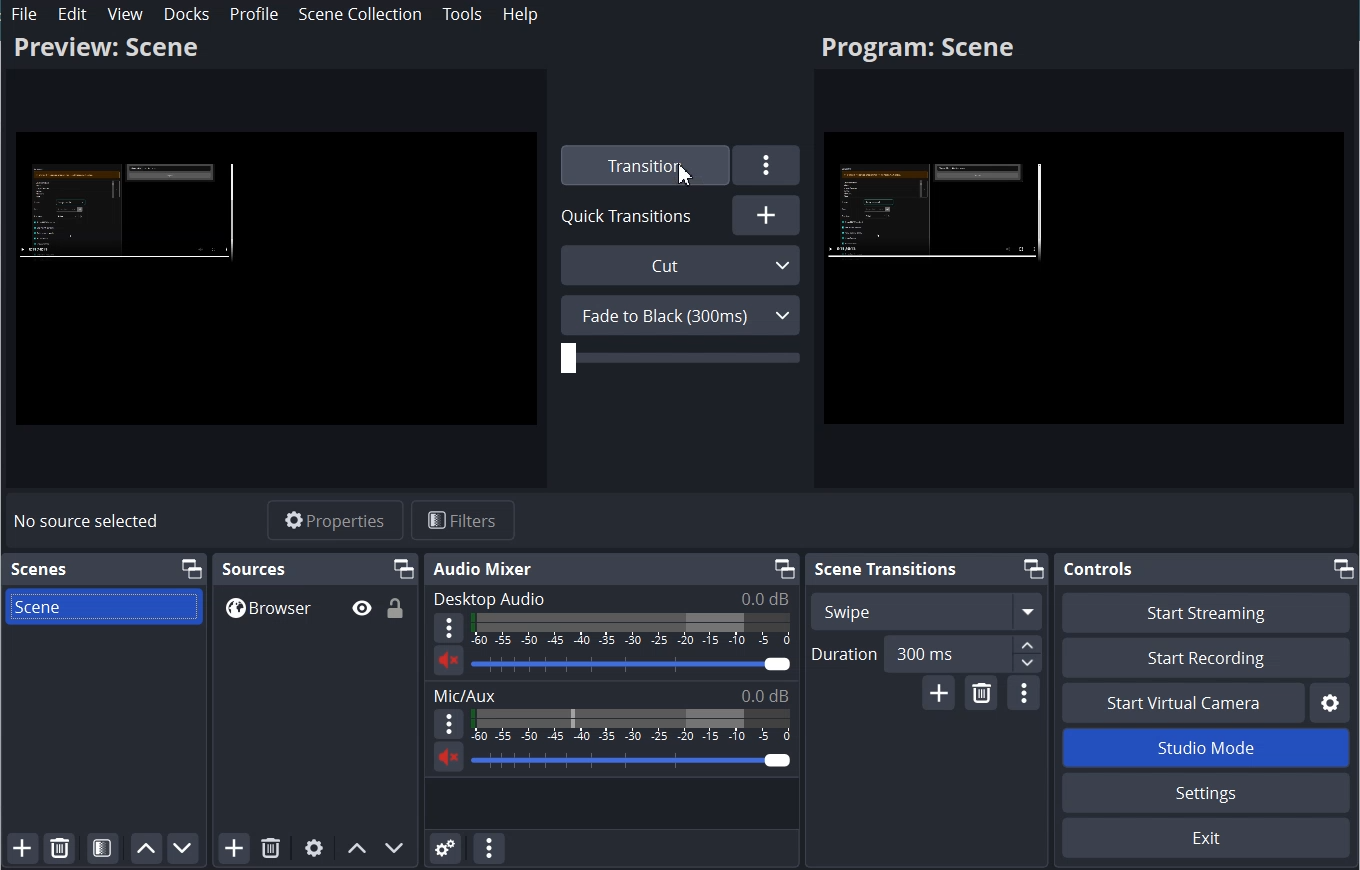 This screenshot has height=870, width=1360. What do you see at coordinates (395, 848) in the screenshot?
I see `Move Source Down` at bounding box center [395, 848].